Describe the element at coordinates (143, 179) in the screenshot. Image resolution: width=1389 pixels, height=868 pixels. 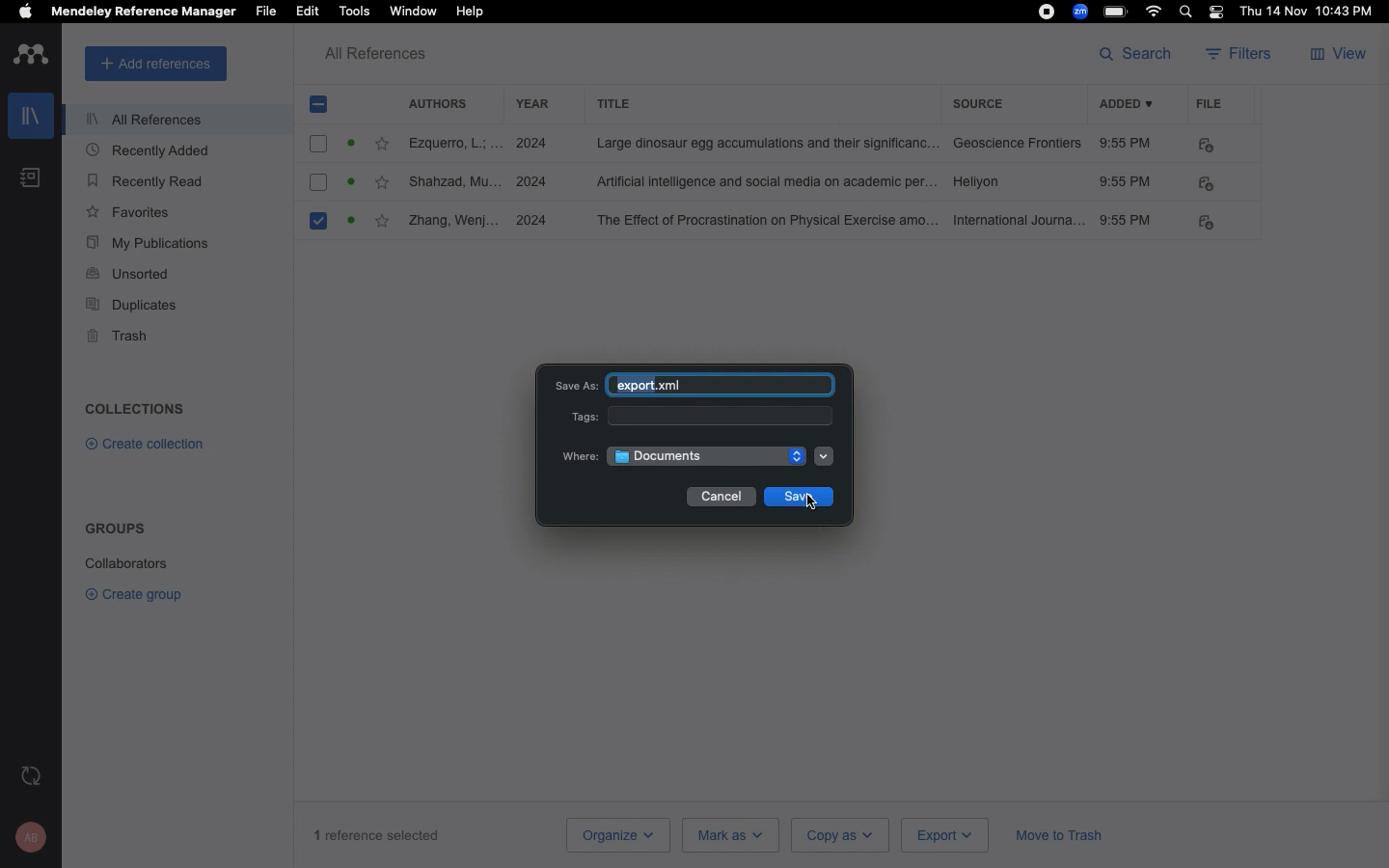
I see `Recently read` at that location.